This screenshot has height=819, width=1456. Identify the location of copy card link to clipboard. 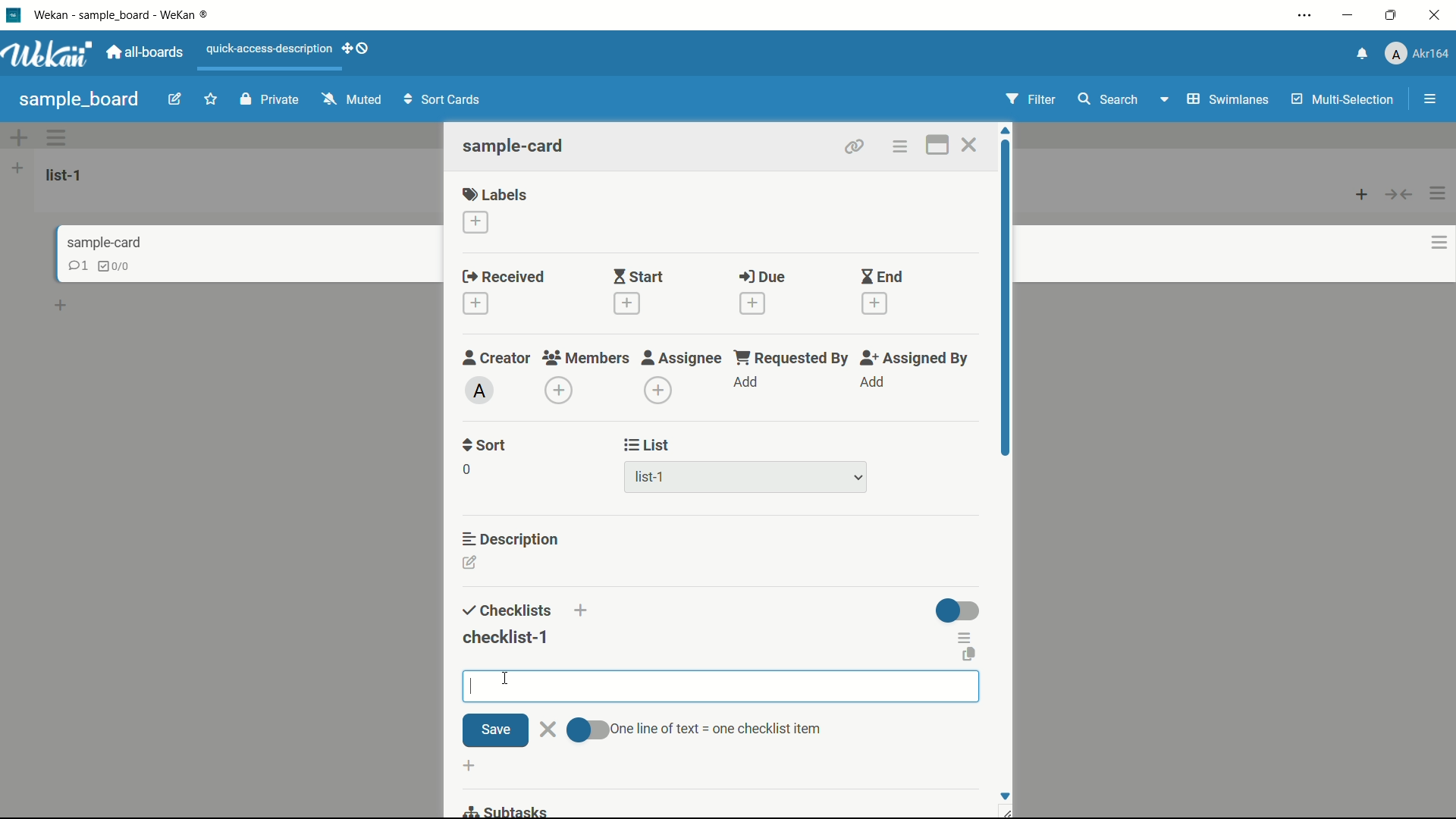
(855, 148).